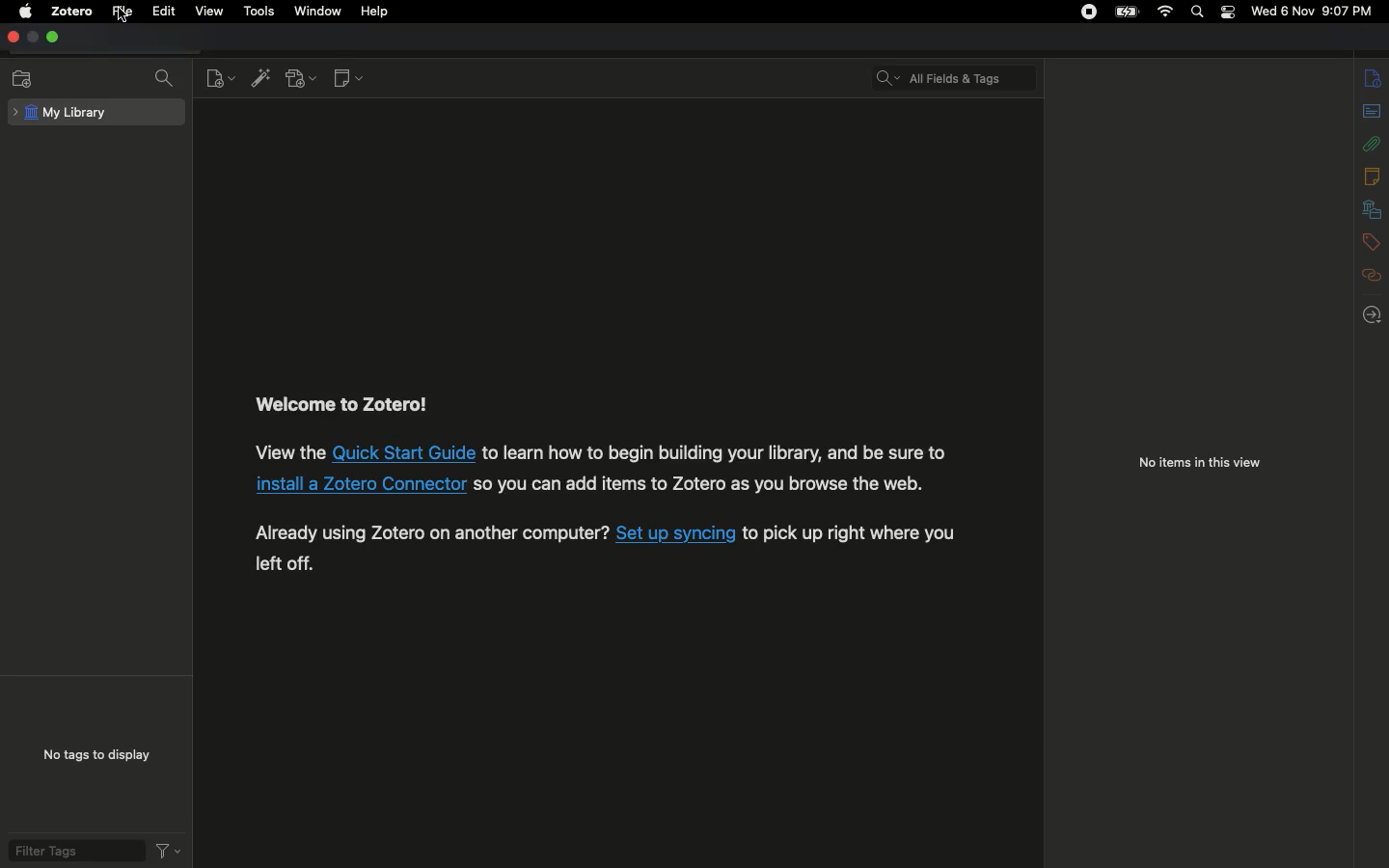  What do you see at coordinates (53, 39) in the screenshot?
I see `Maximize` at bounding box center [53, 39].